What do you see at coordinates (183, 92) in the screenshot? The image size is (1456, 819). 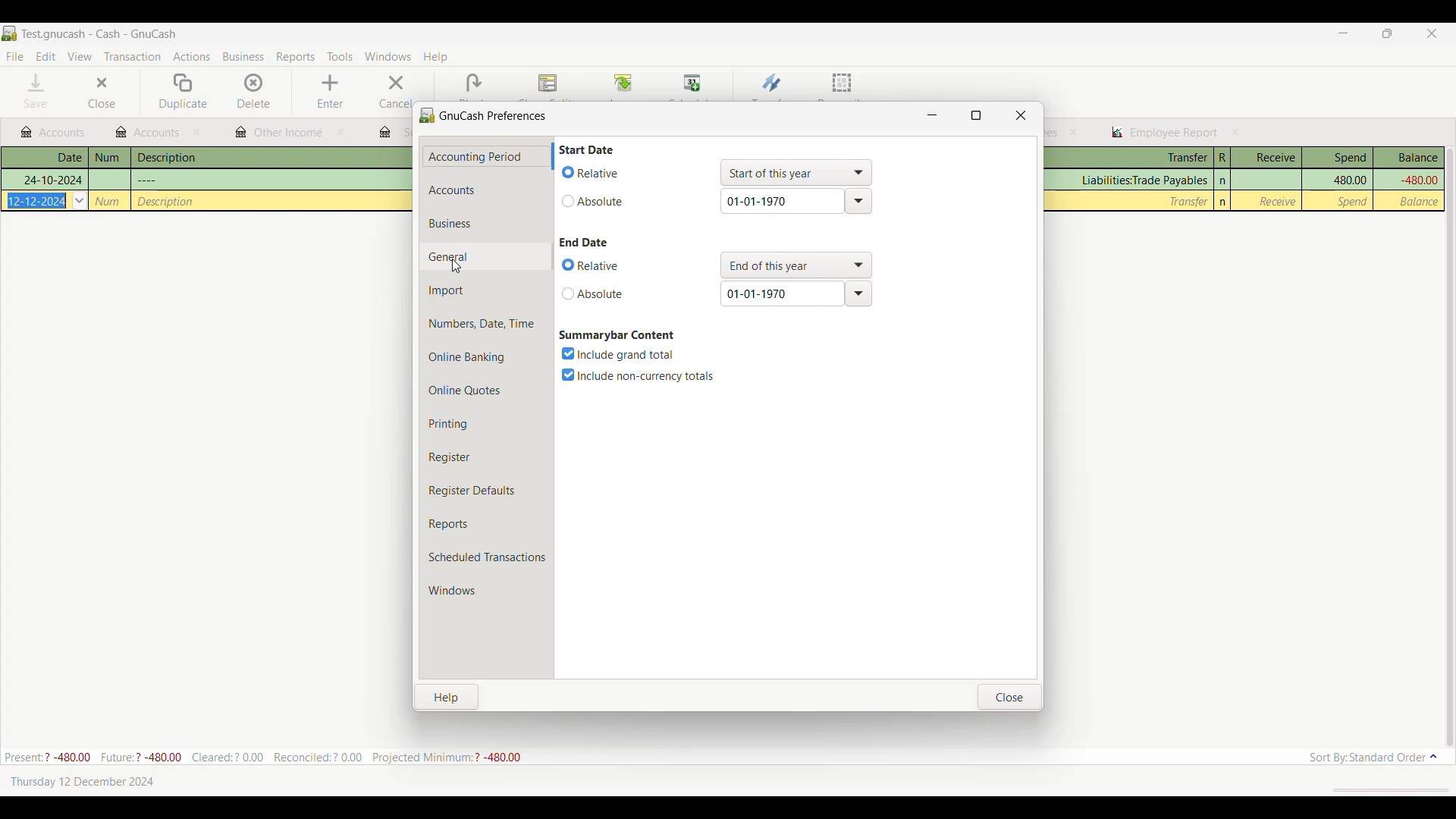 I see `Duplicate` at bounding box center [183, 92].